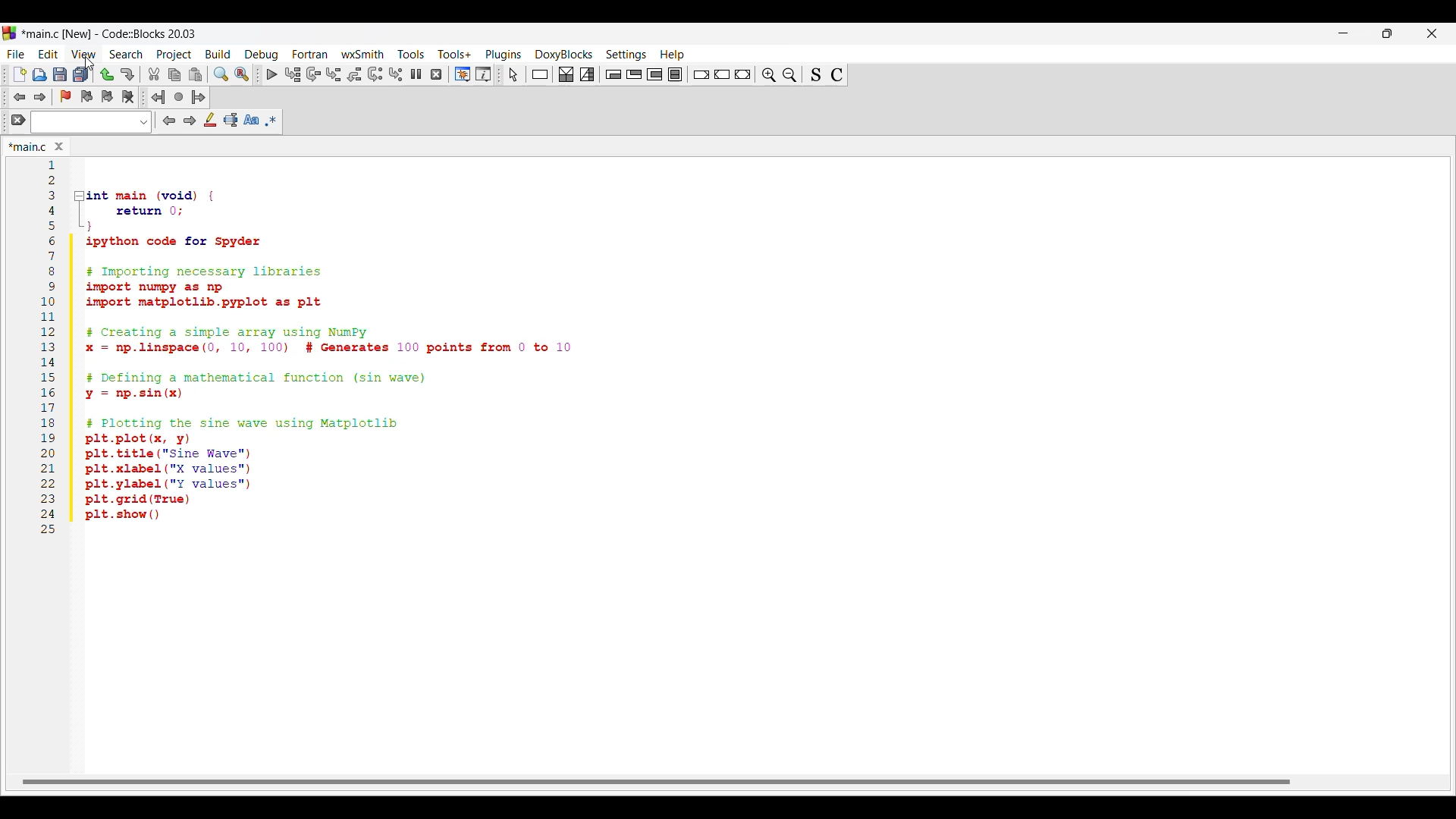 The height and width of the screenshot is (819, 1456). Describe the element at coordinates (175, 55) in the screenshot. I see `Project menu` at that location.